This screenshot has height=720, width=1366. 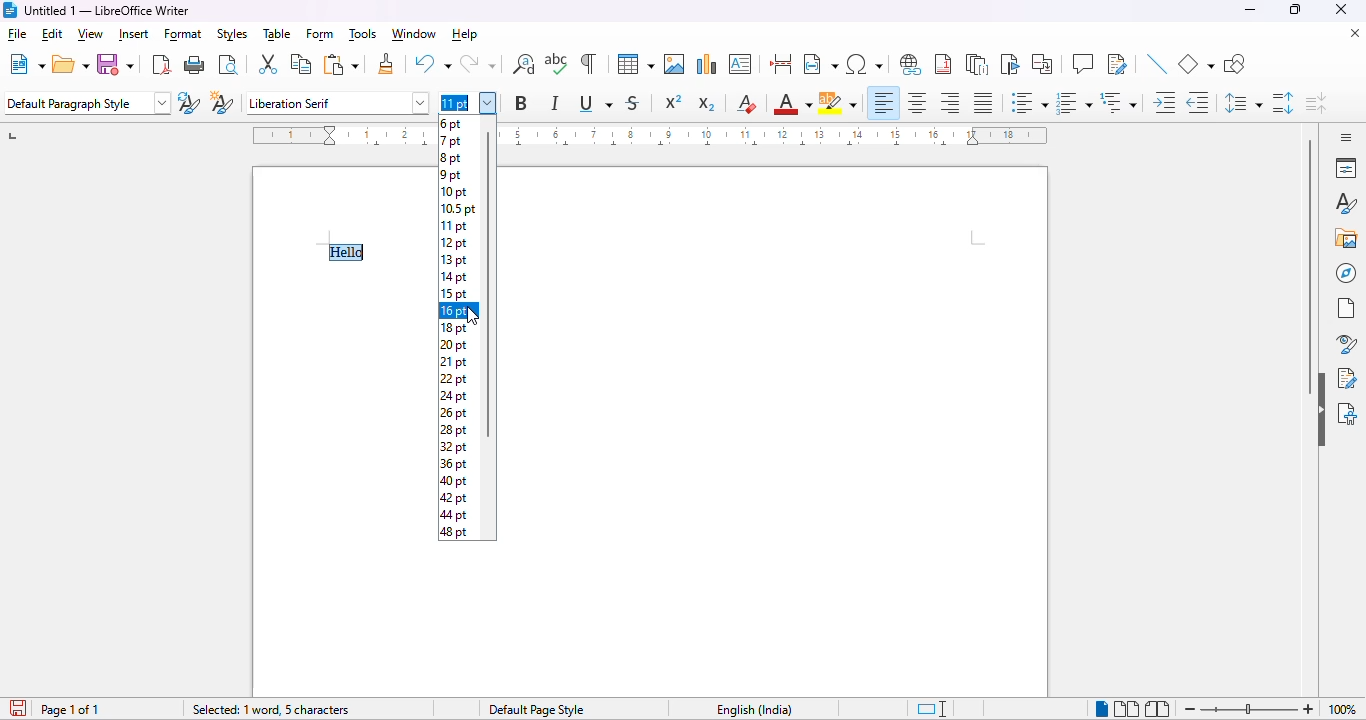 I want to click on insert page break, so click(x=782, y=64).